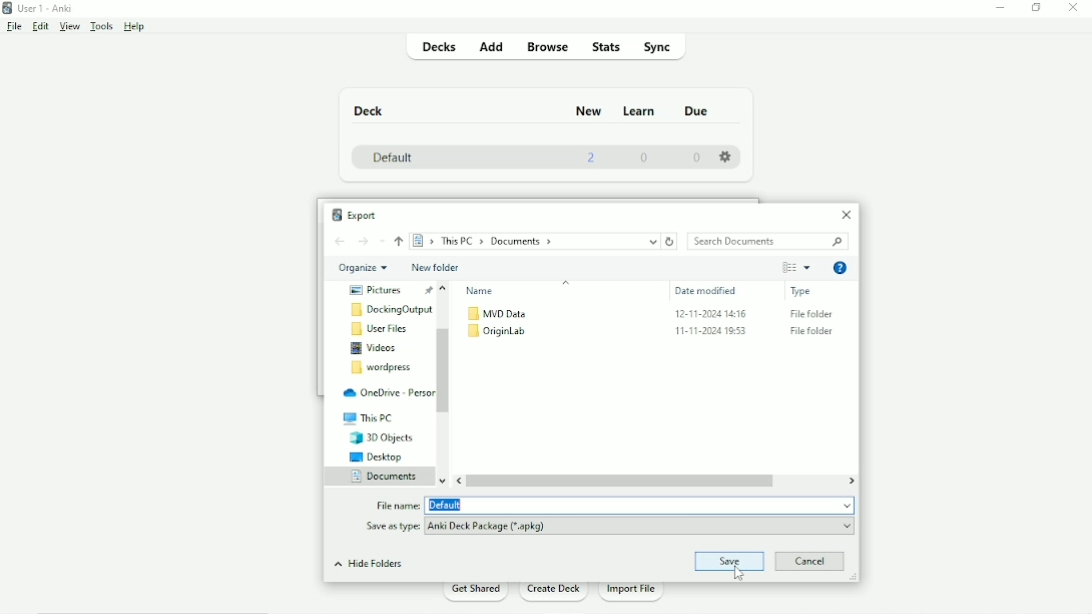 Image resolution: width=1092 pixels, height=614 pixels. What do you see at coordinates (384, 368) in the screenshot?
I see `Wordpress` at bounding box center [384, 368].